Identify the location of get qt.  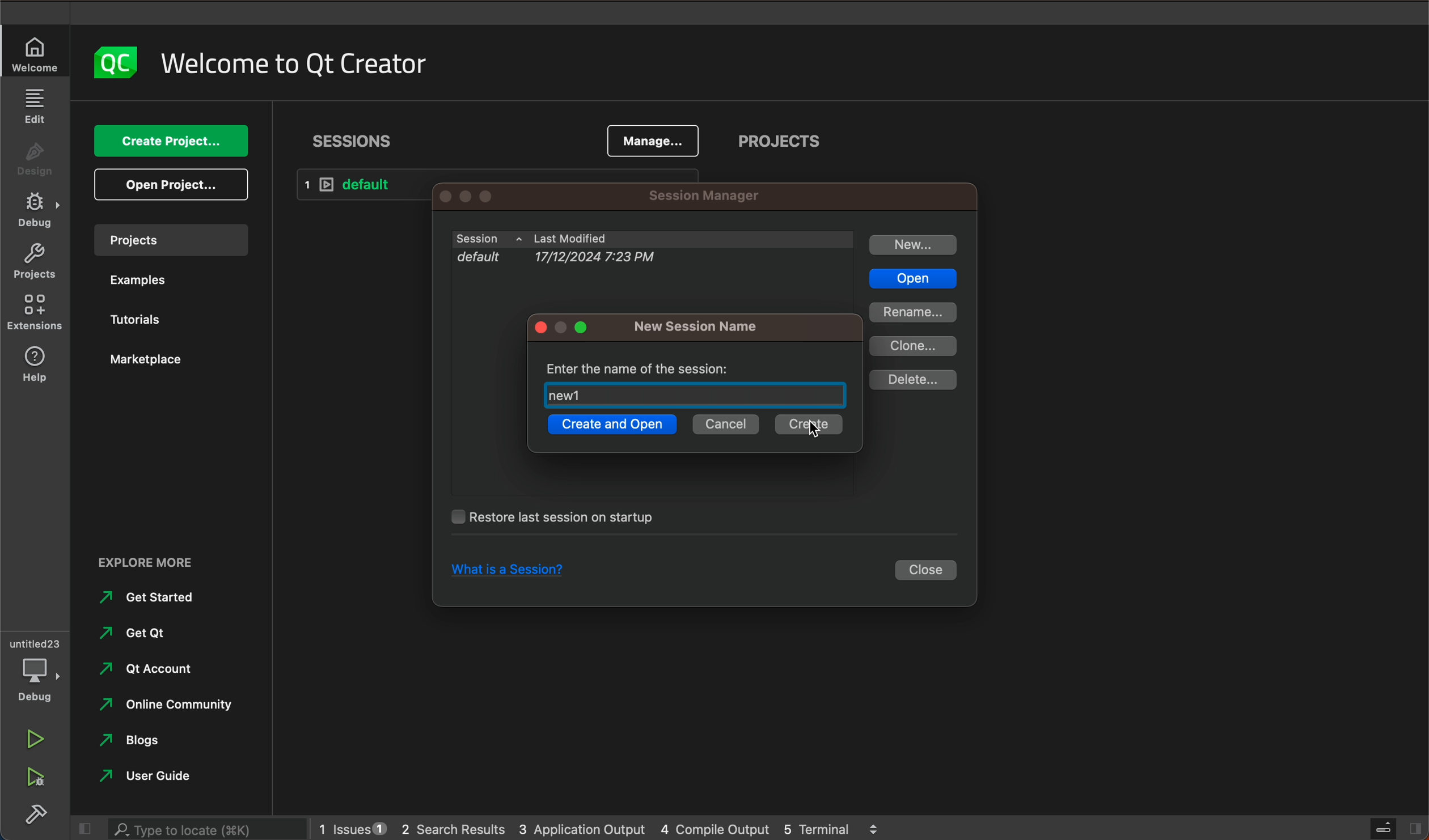
(136, 633).